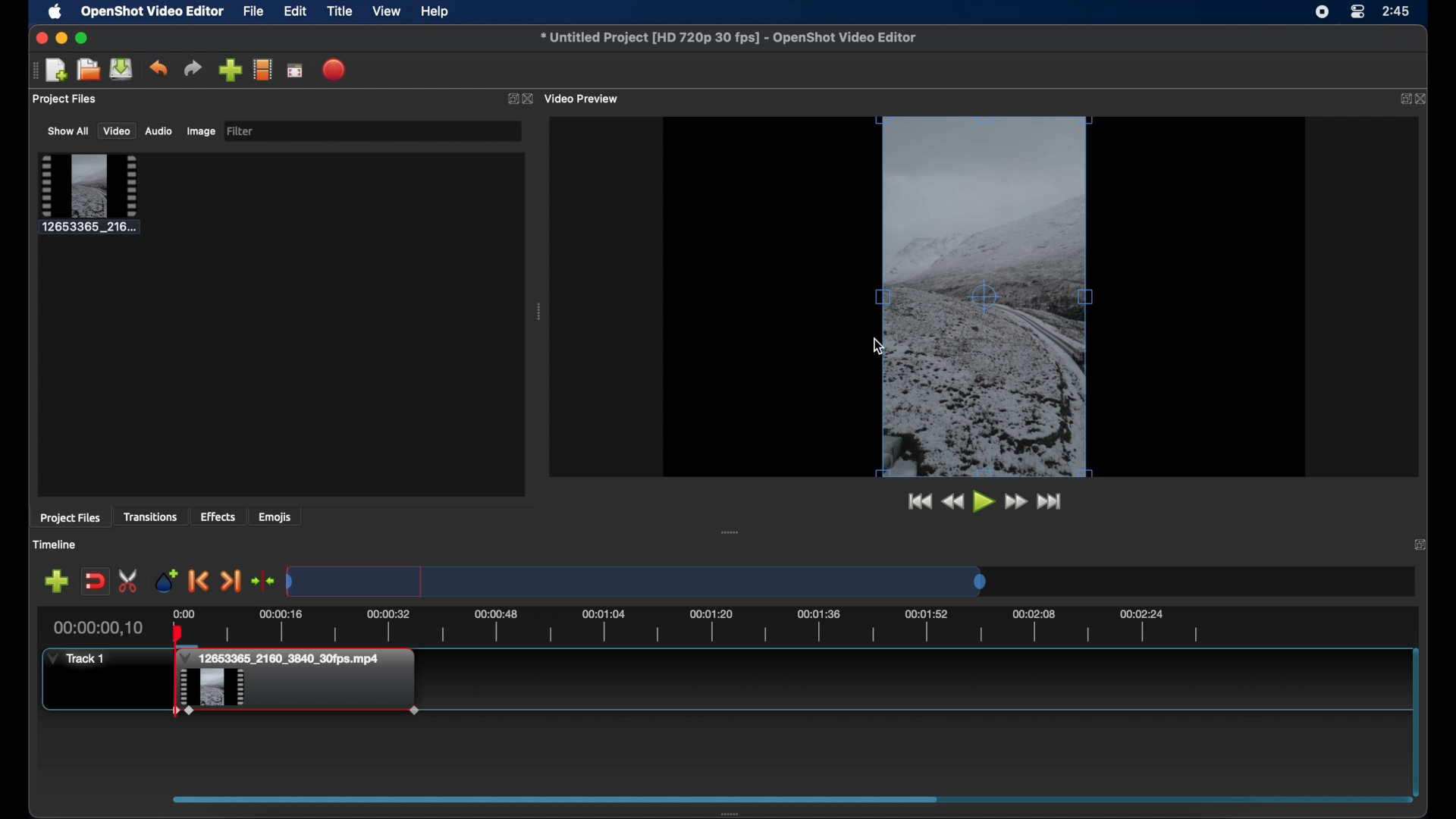 The width and height of the screenshot is (1456, 819). What do you see at coordinates (297, 694) in the screenshot?
I see `clip` at bounding box center [297, 694].